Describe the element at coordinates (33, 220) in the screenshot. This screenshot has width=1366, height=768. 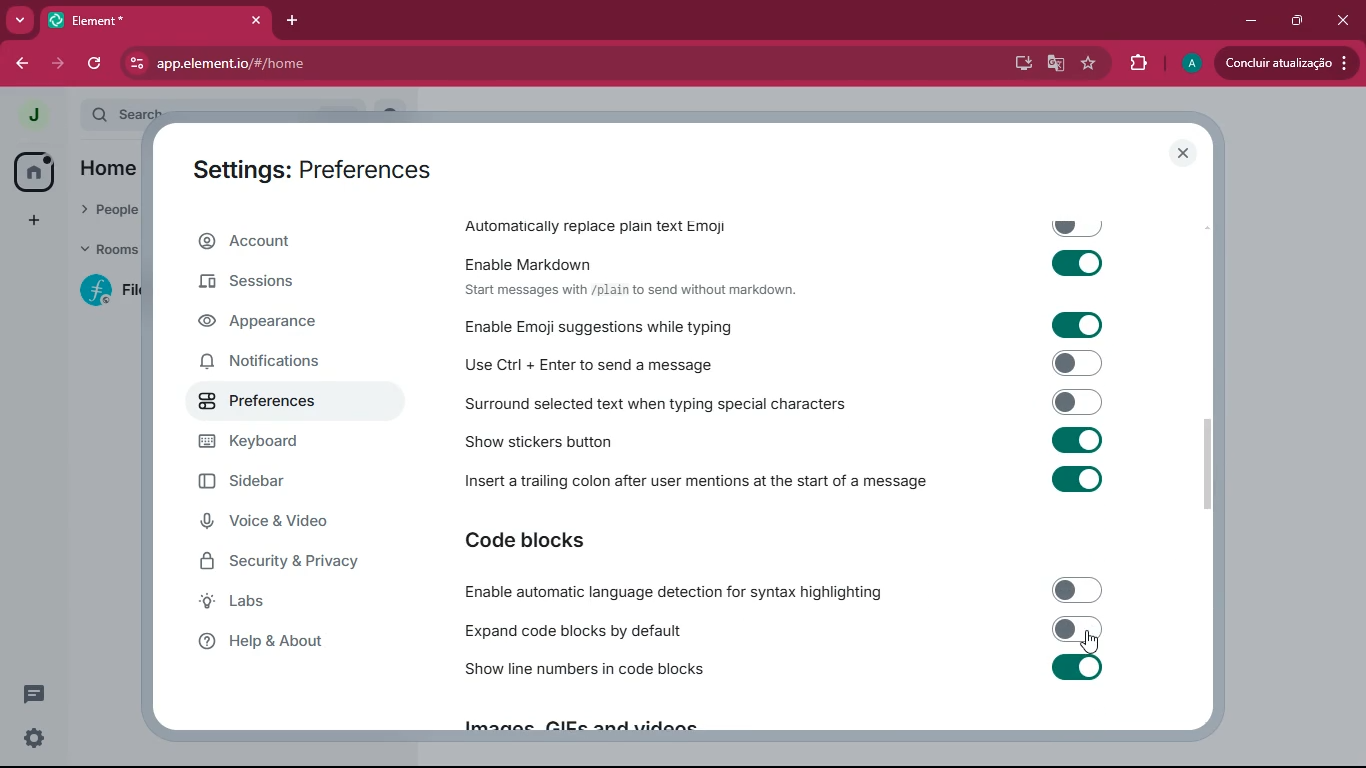
I see `add` at that location.